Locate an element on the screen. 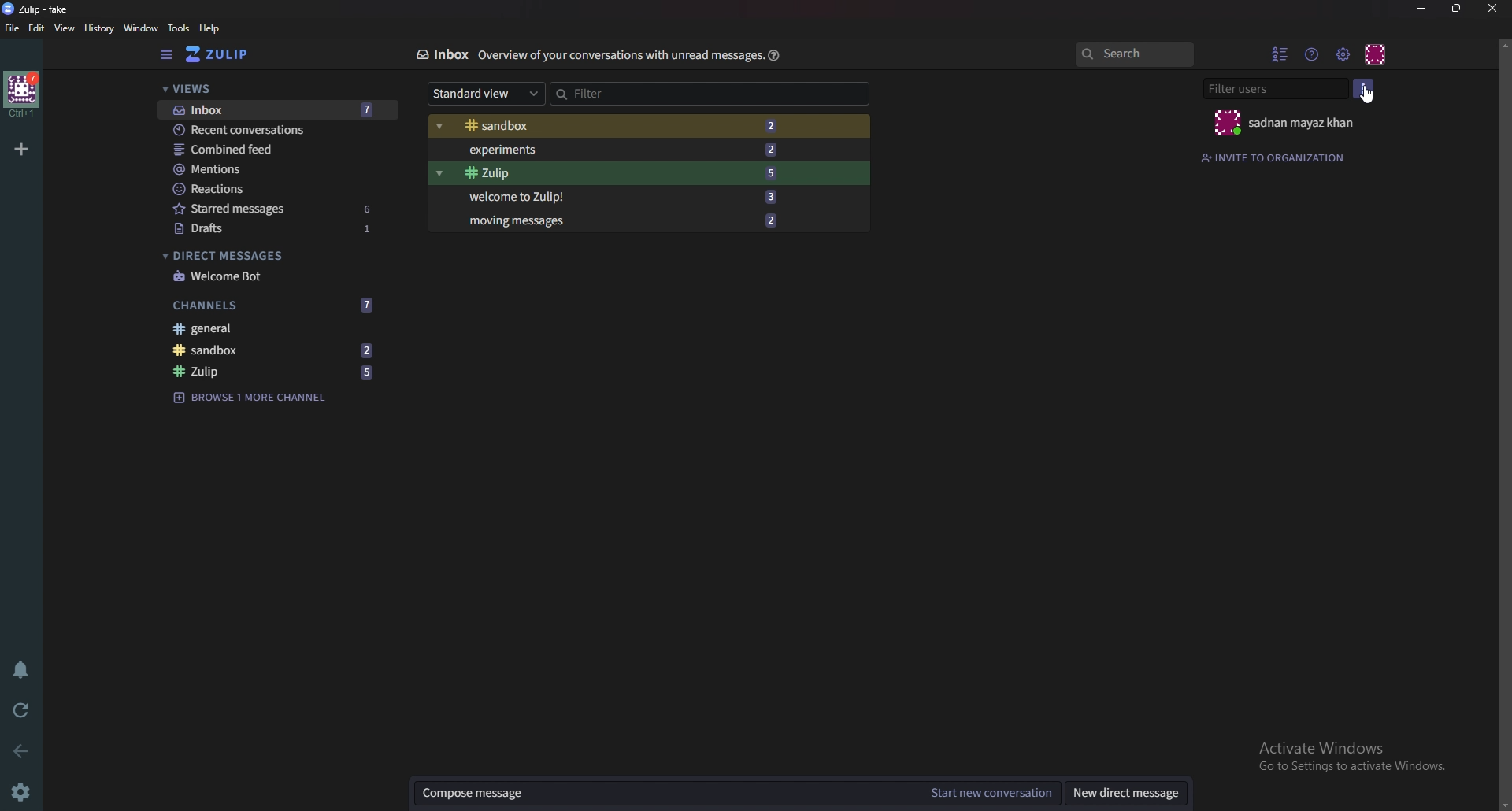  help is located at coordinates (775, 54).